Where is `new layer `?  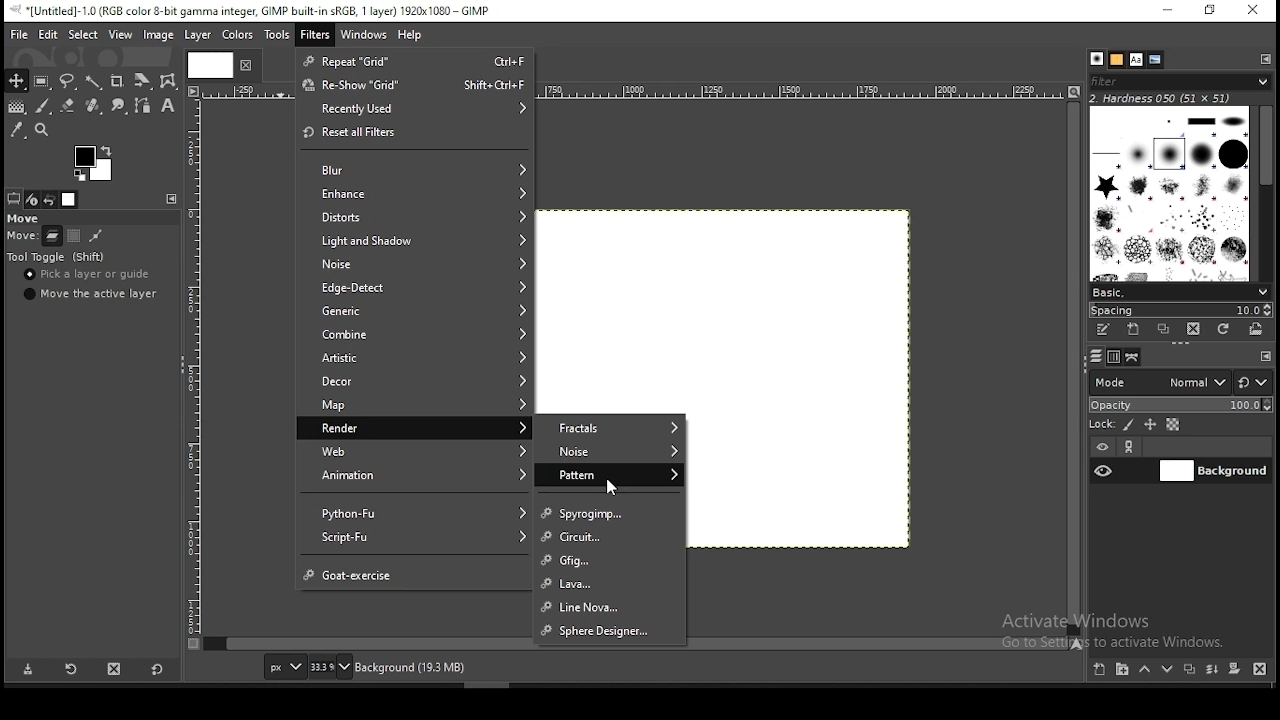
new layer  is located at coordinates (1101, 670).